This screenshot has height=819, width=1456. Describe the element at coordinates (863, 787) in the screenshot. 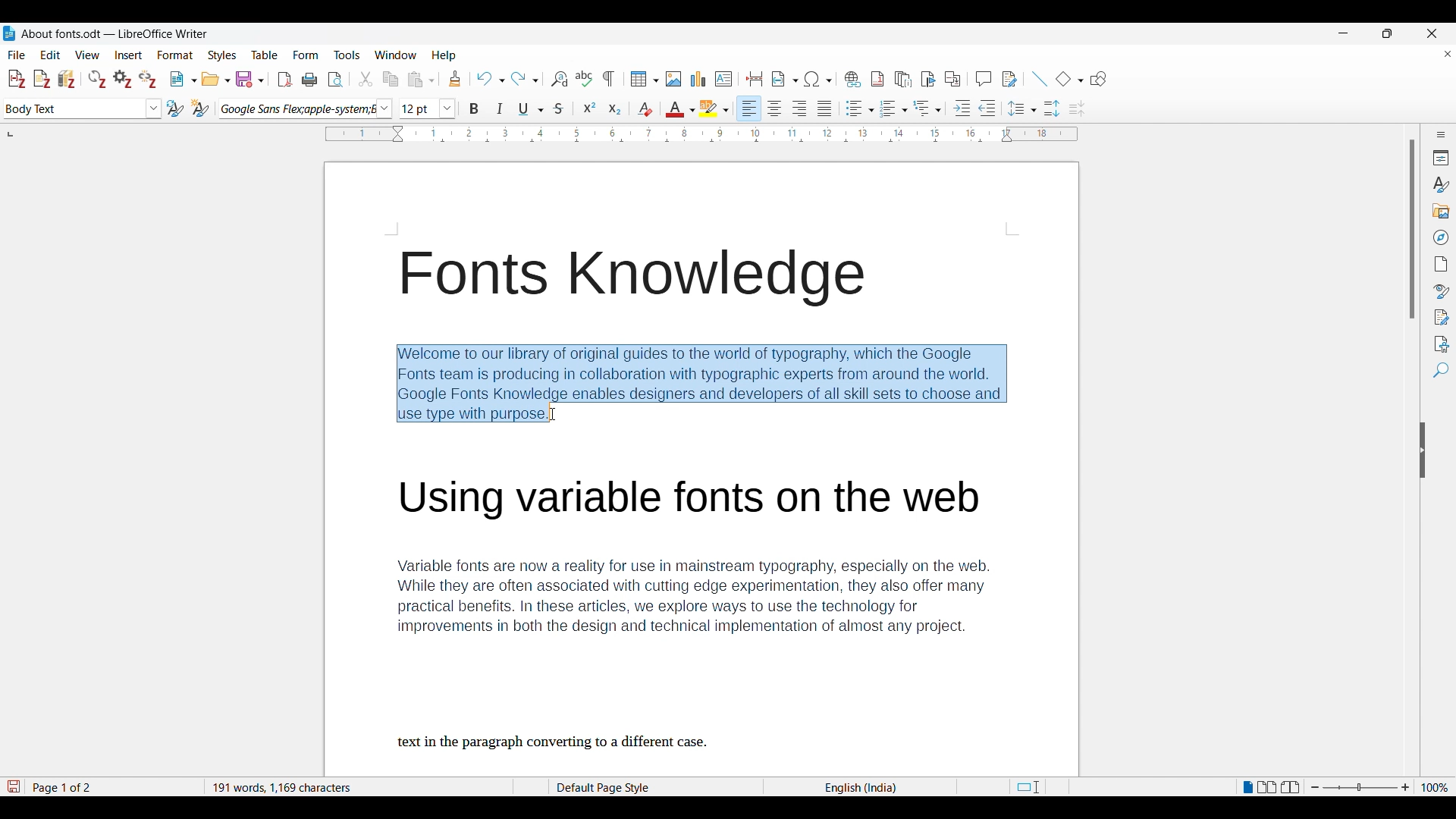

I see `Current language` at that location.